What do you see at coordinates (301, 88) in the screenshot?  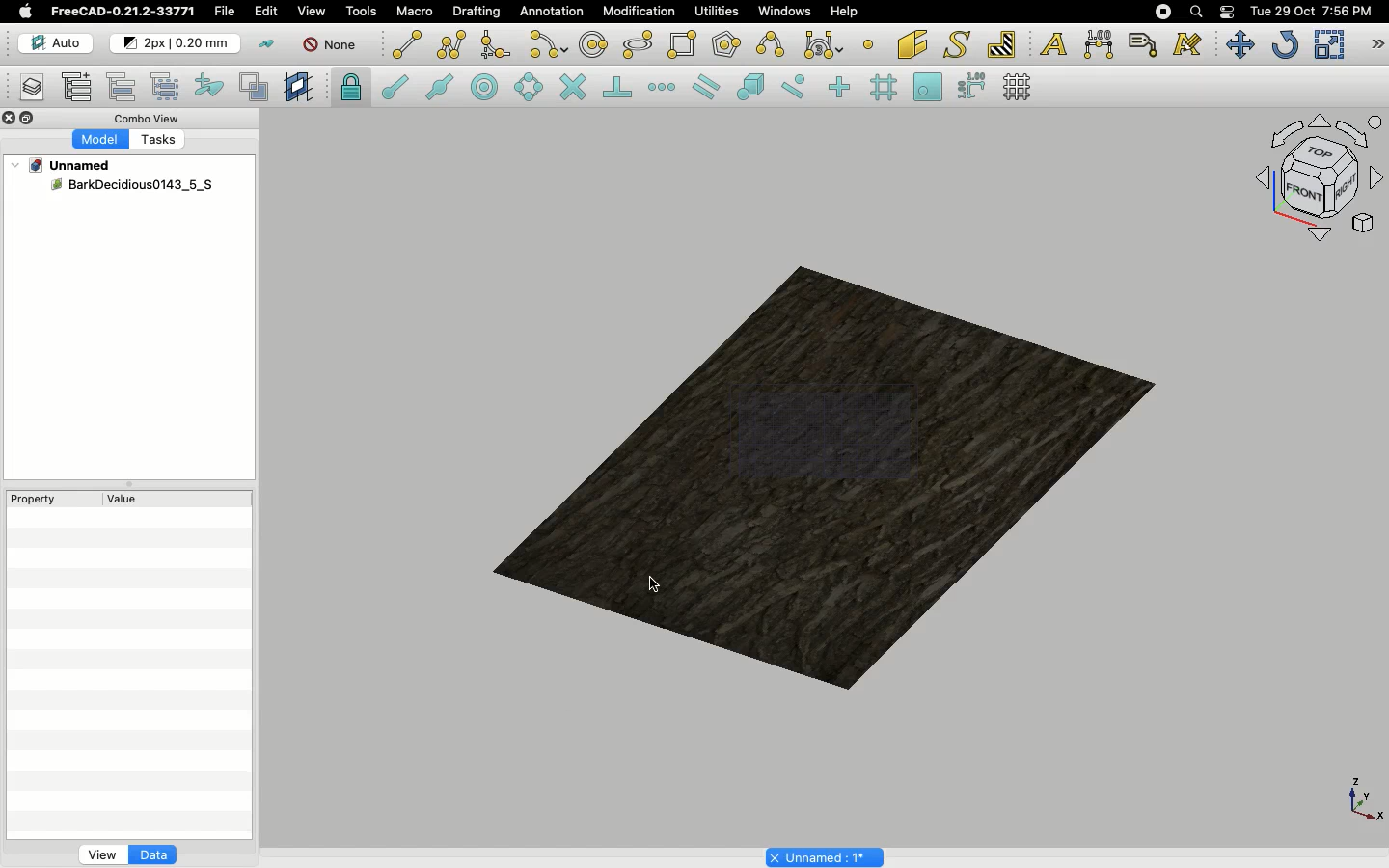 I see `Create working plane proxy` at bounding box center [301, 88].